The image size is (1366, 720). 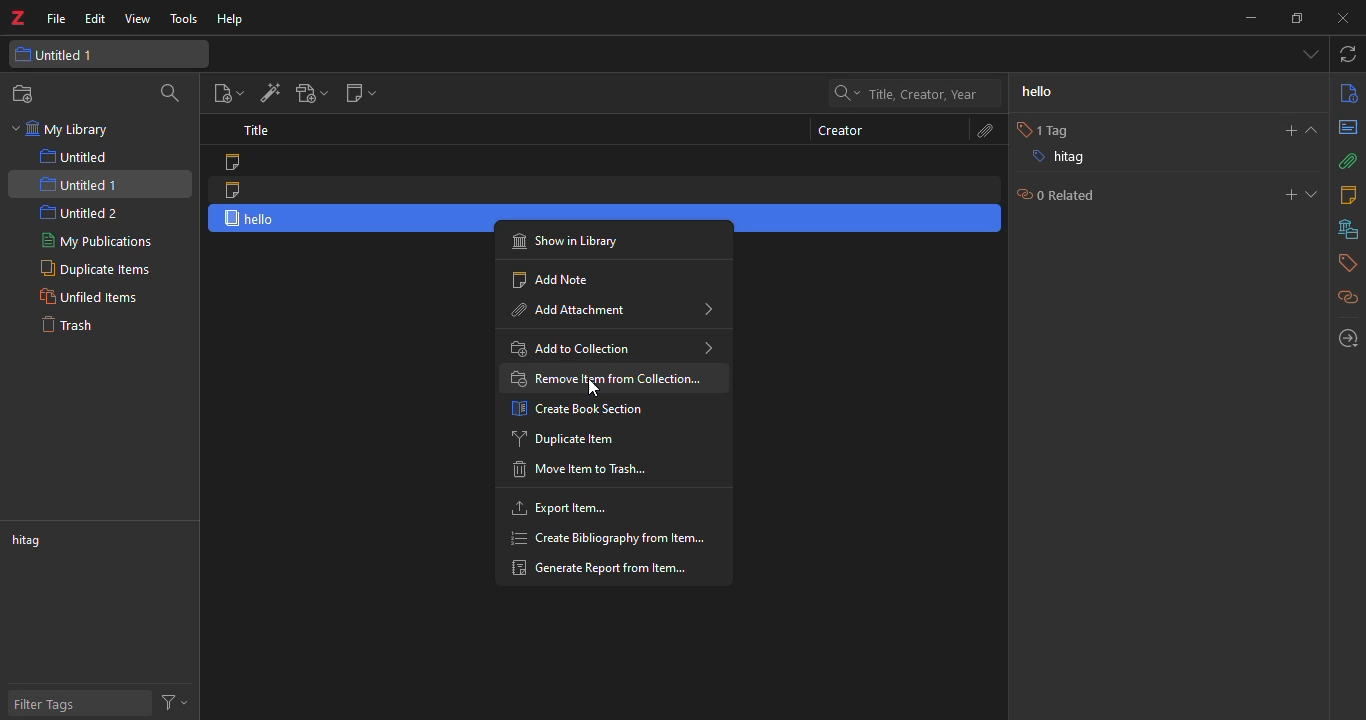 I want to click on tabs, so click(x=1309, y=53).